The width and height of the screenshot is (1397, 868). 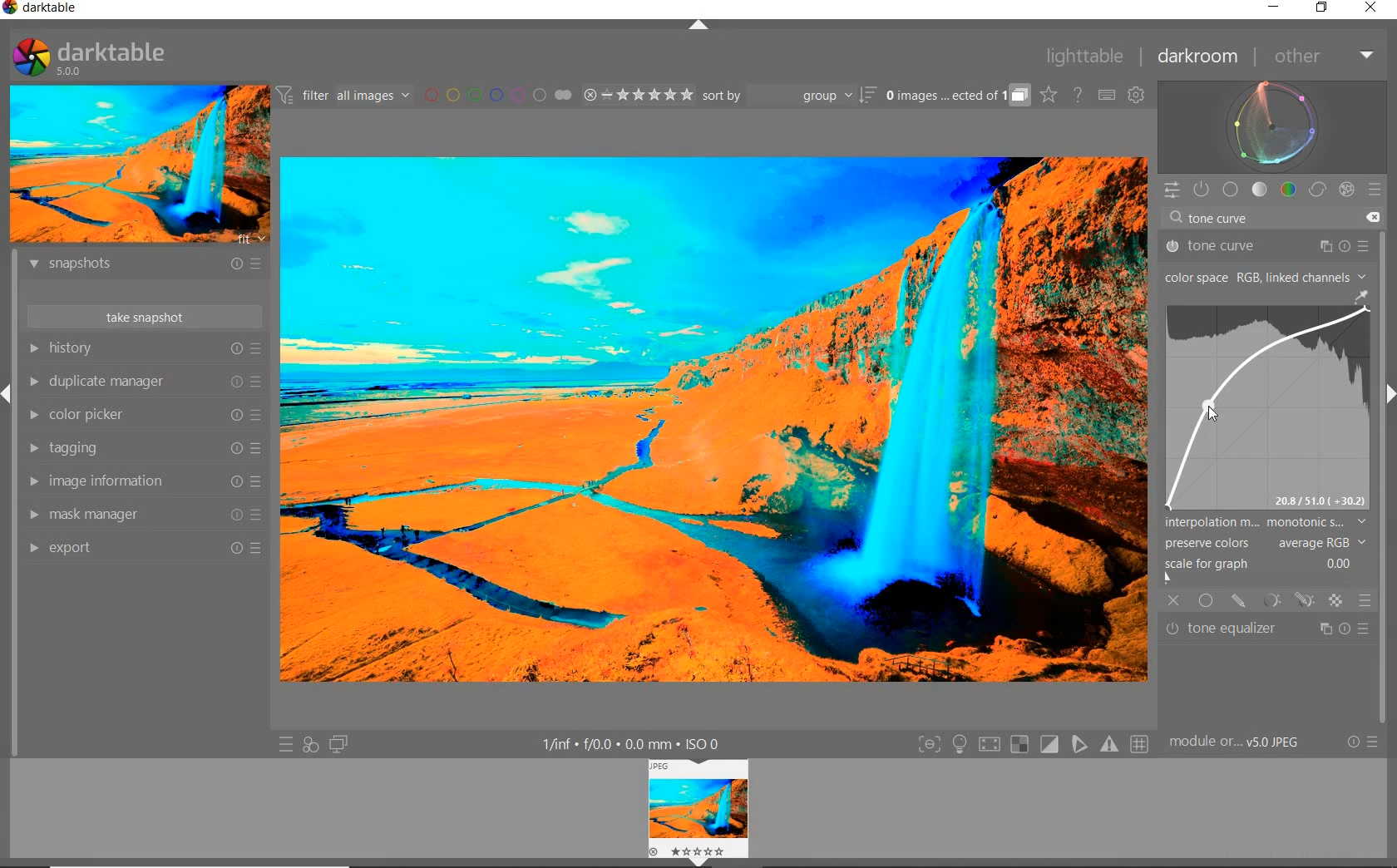 I want to click on Expand/Collapse, so click(x=8, y=392).